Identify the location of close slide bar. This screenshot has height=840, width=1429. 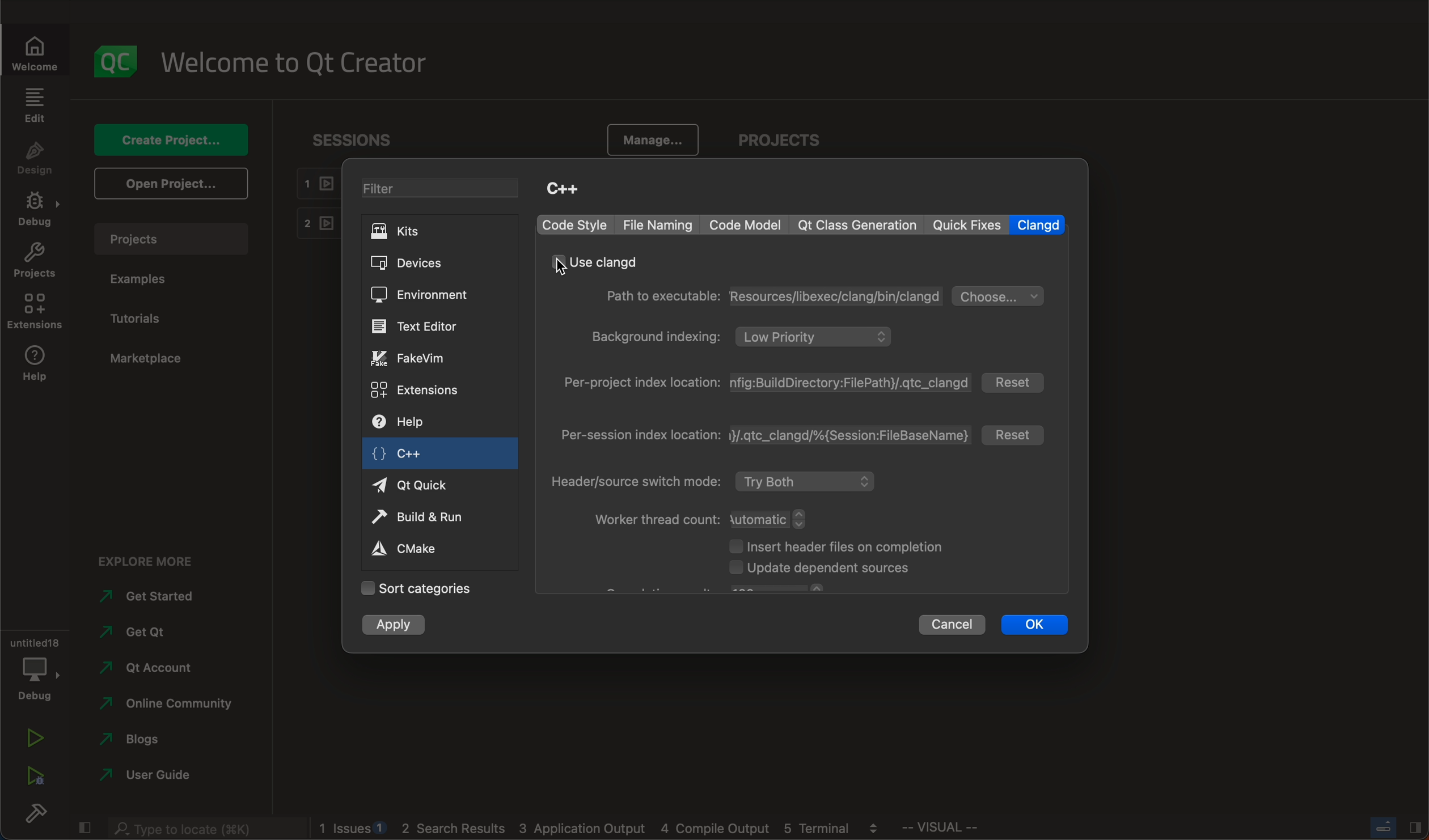
(85, 828).